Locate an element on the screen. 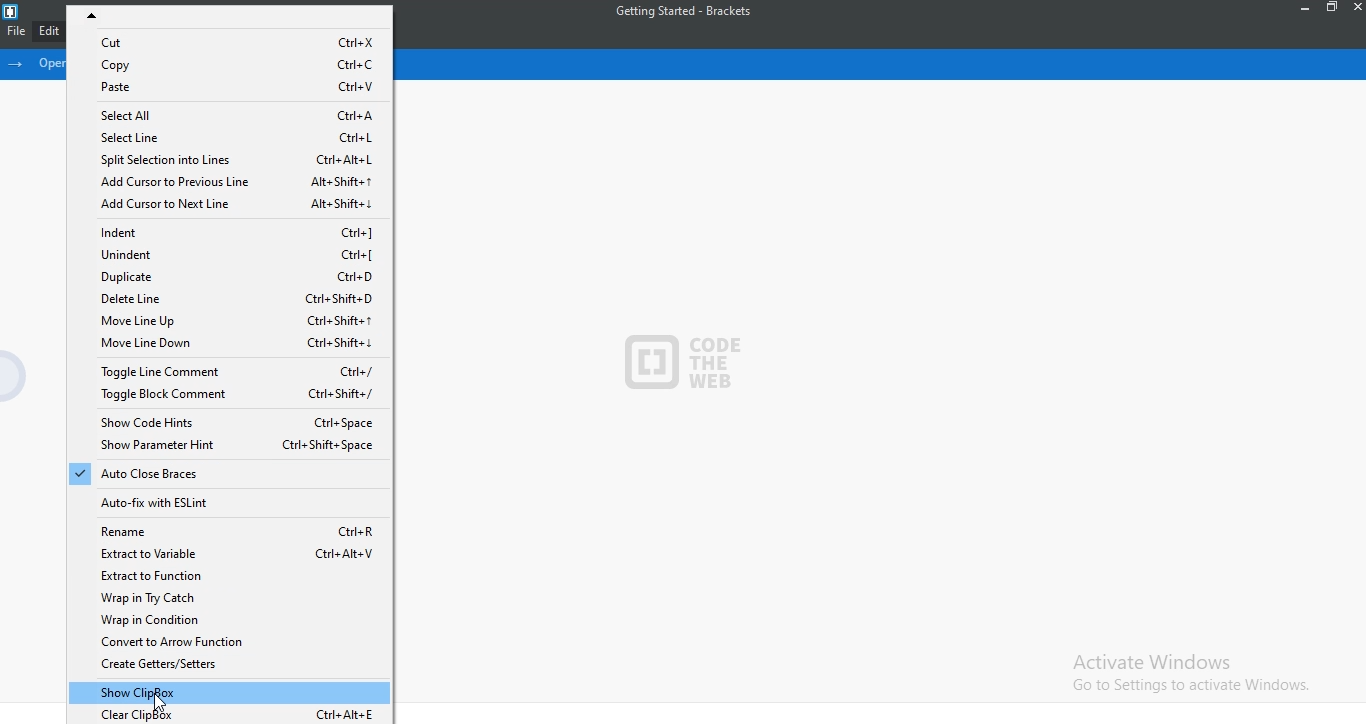 Image resolution: width=1366 pixels, height=724 pixels. Paste is located at coordinates (229, 87).